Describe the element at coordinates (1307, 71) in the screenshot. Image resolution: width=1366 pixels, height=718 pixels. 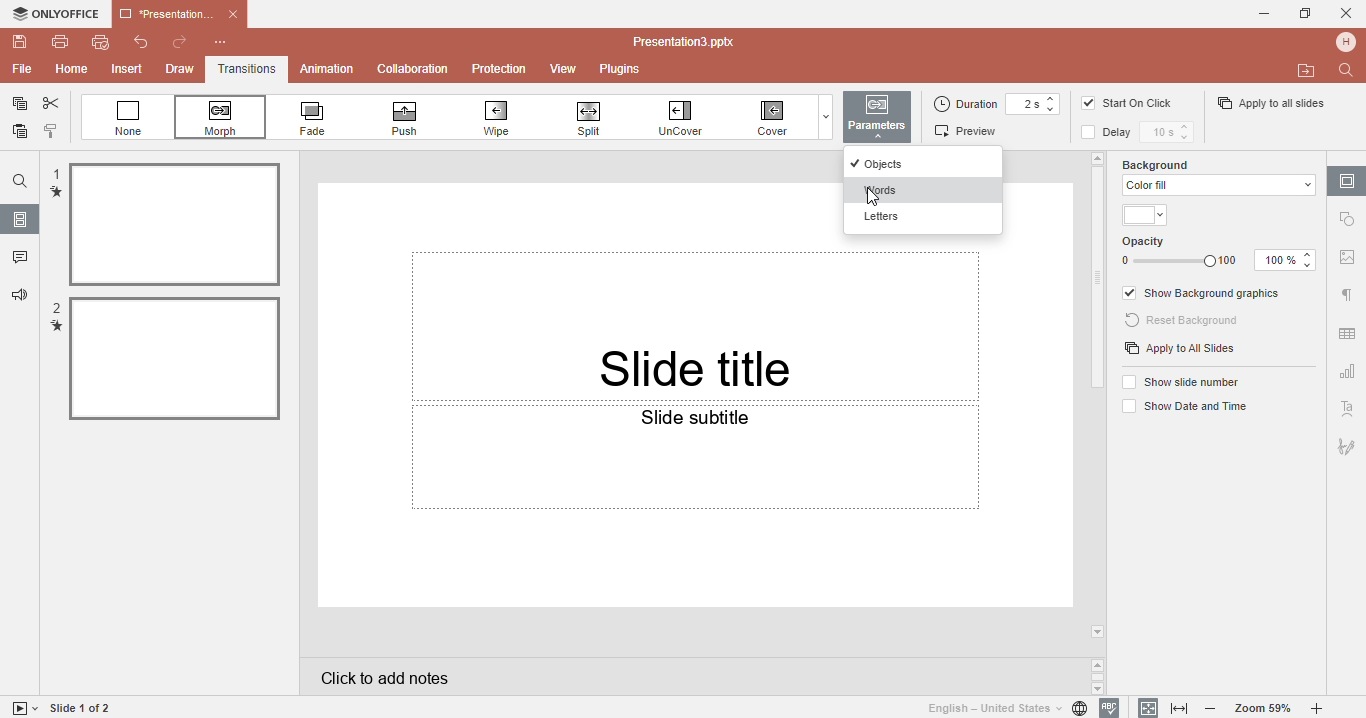
I see `Open file` at that location.